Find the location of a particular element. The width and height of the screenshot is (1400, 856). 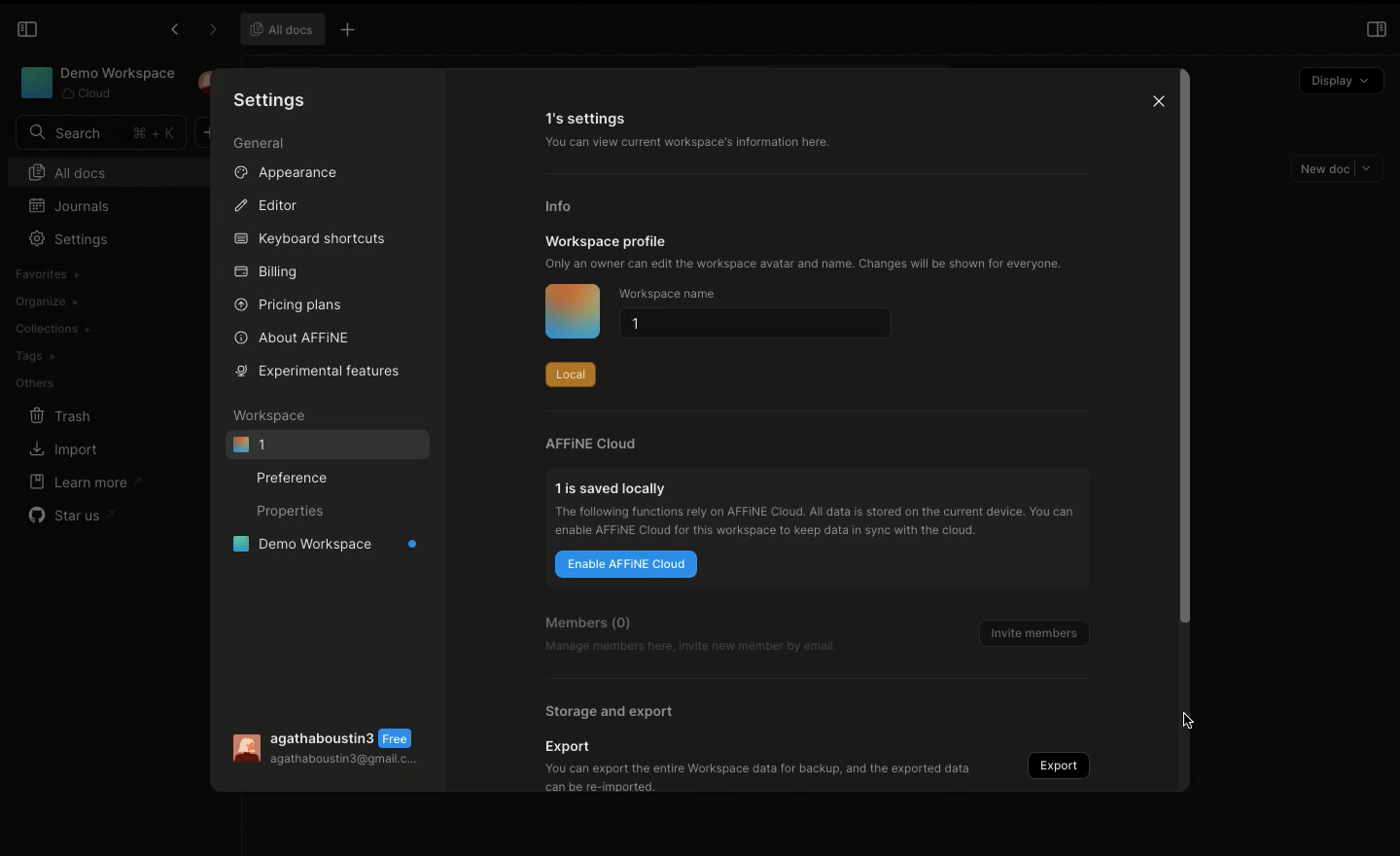

Workspace profile is located at coordinates (610, 242).